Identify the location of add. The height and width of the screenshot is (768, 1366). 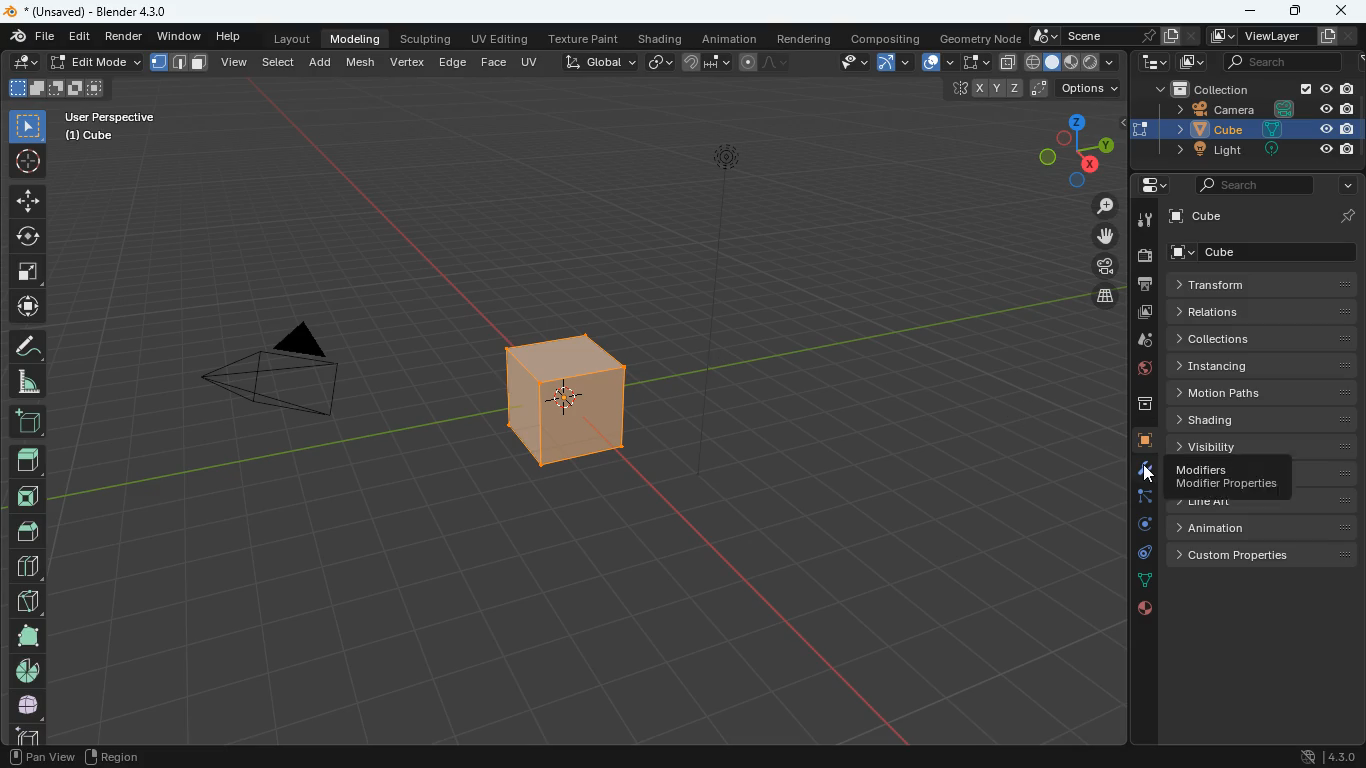
(31, 424).